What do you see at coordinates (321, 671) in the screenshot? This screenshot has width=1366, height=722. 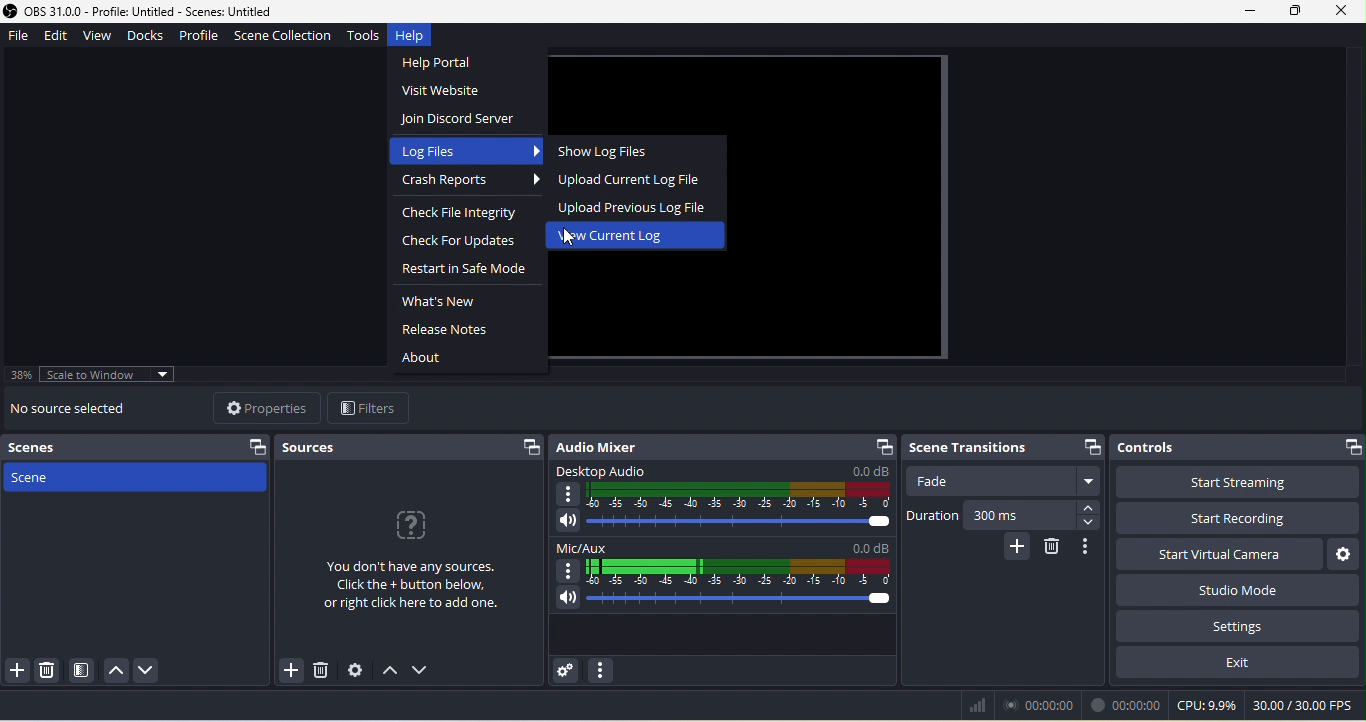 I see `remove selected source` at bounding box center [321, 671].